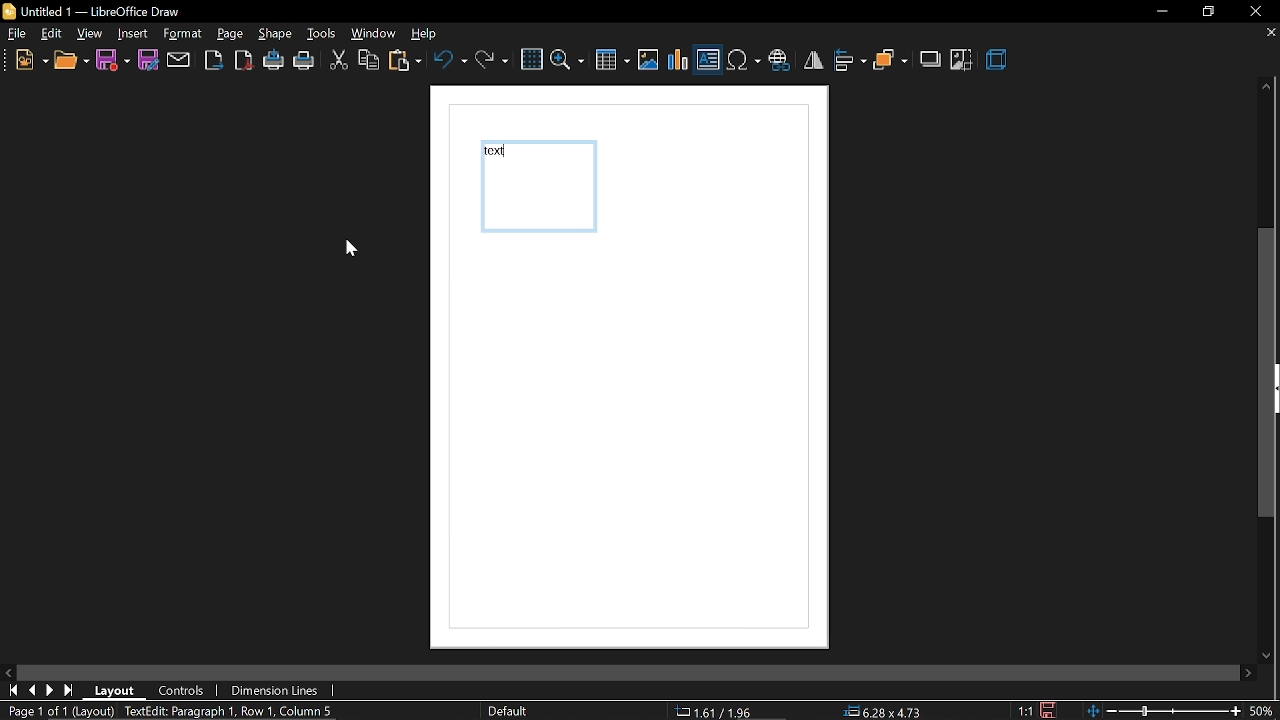 This screenshot has height=720, width=1280. I want to click on flip, so click(813, 60).